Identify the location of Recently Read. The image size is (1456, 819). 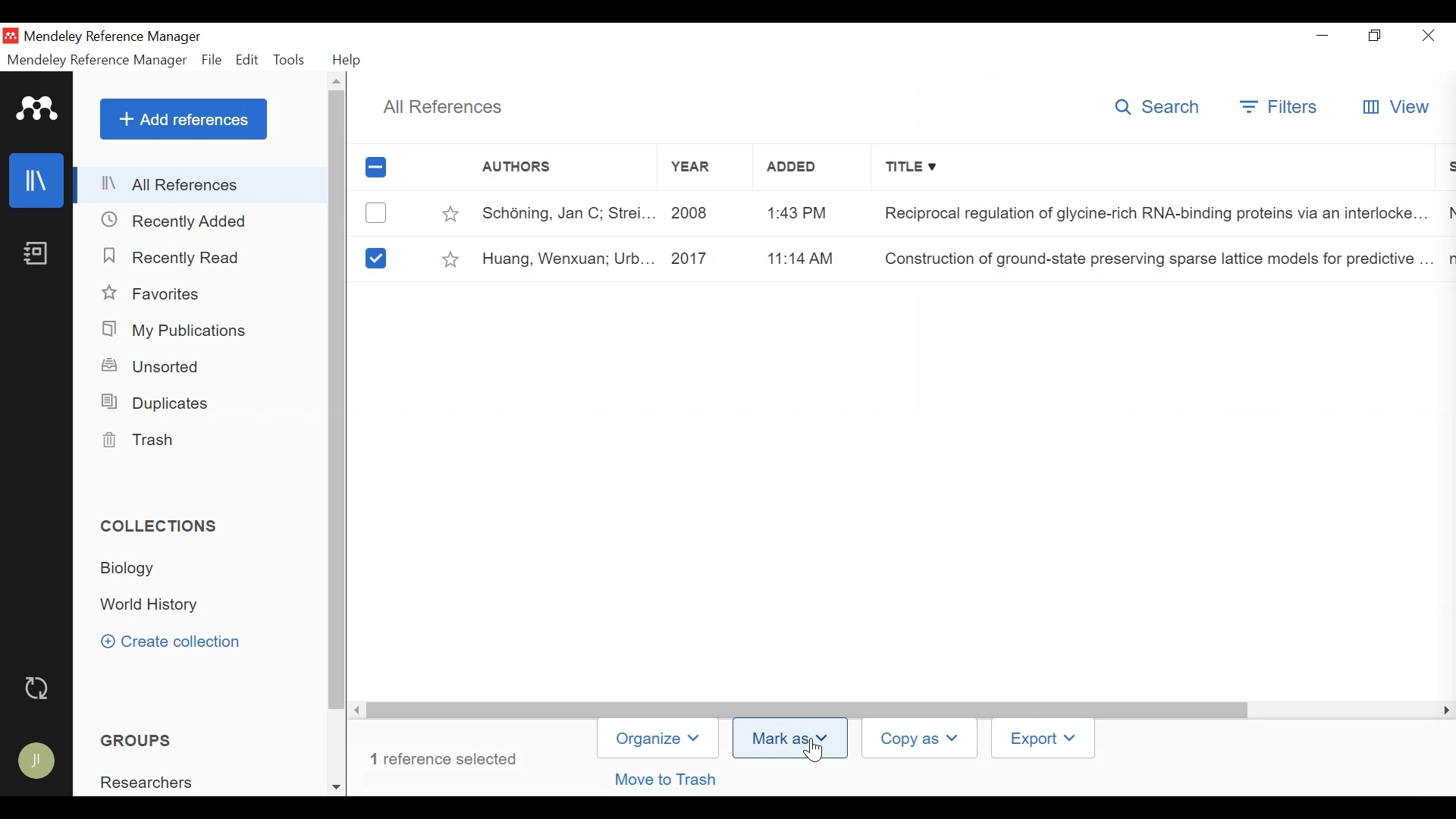
(174, 256).